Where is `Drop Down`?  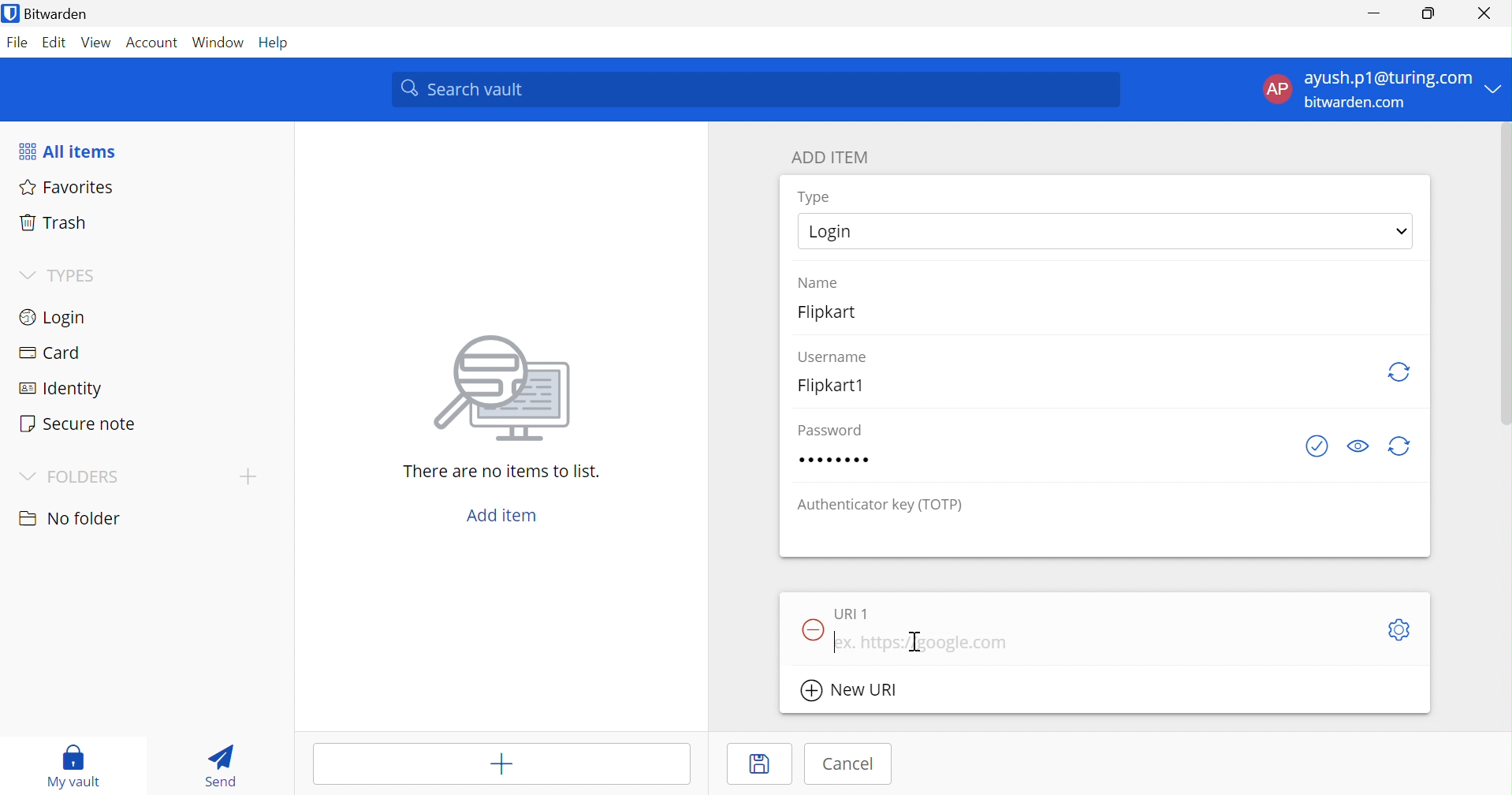
Drop Down is located at coordinates (1496, 88).